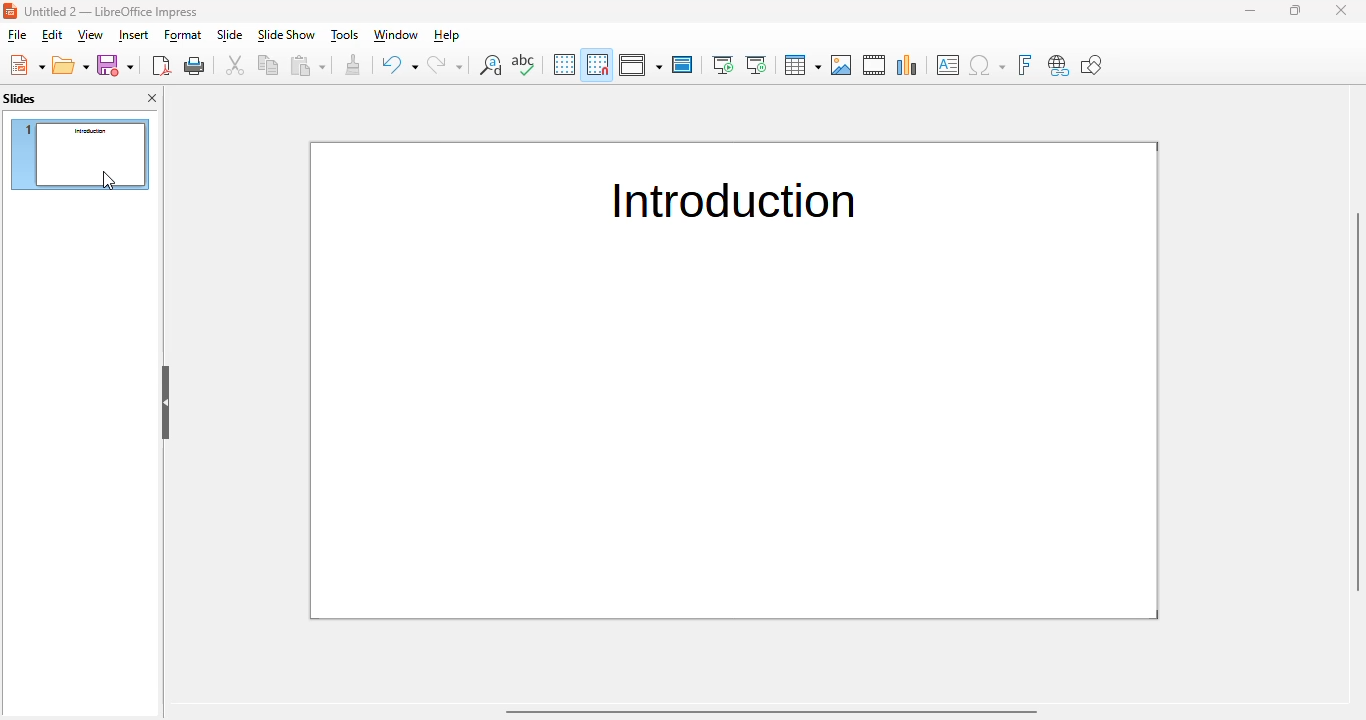 The width and height of the screenshot is (1366, 720). I want to click on snap to grid, so click(598, 64).